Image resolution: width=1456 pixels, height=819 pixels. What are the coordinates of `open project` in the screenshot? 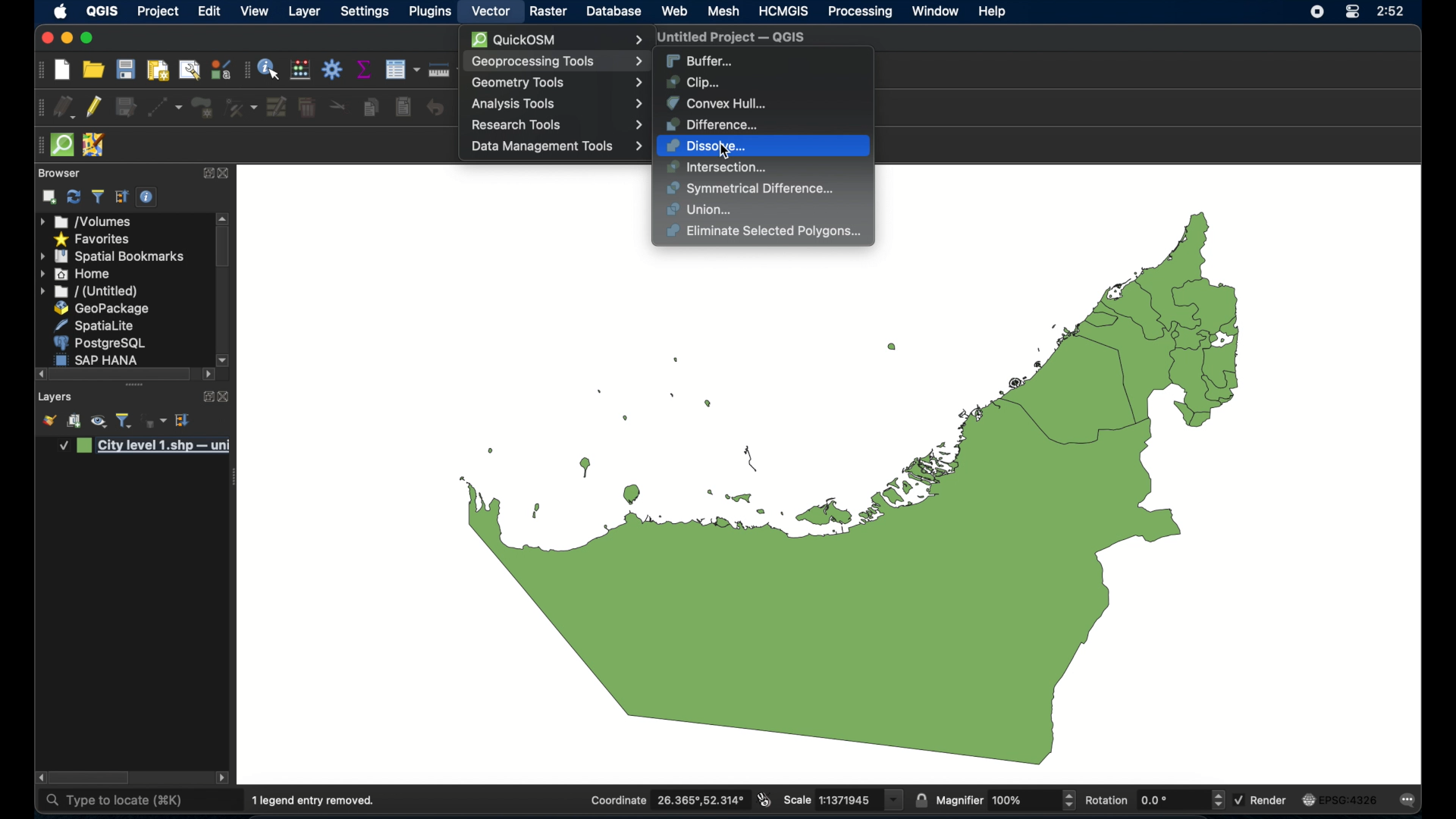 It's located at (93, 69).